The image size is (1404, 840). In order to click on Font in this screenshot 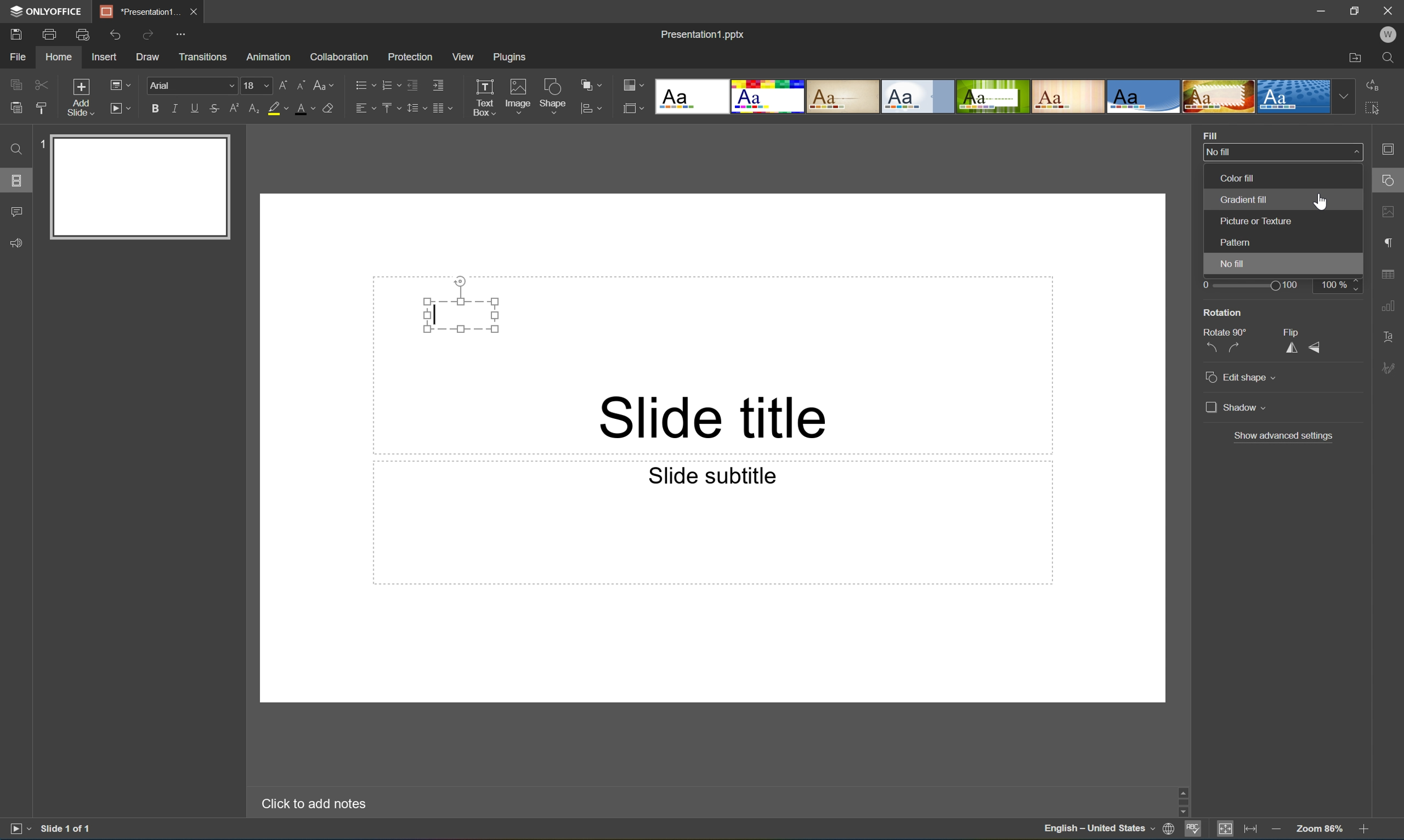, I will do `click(194, 86)`.